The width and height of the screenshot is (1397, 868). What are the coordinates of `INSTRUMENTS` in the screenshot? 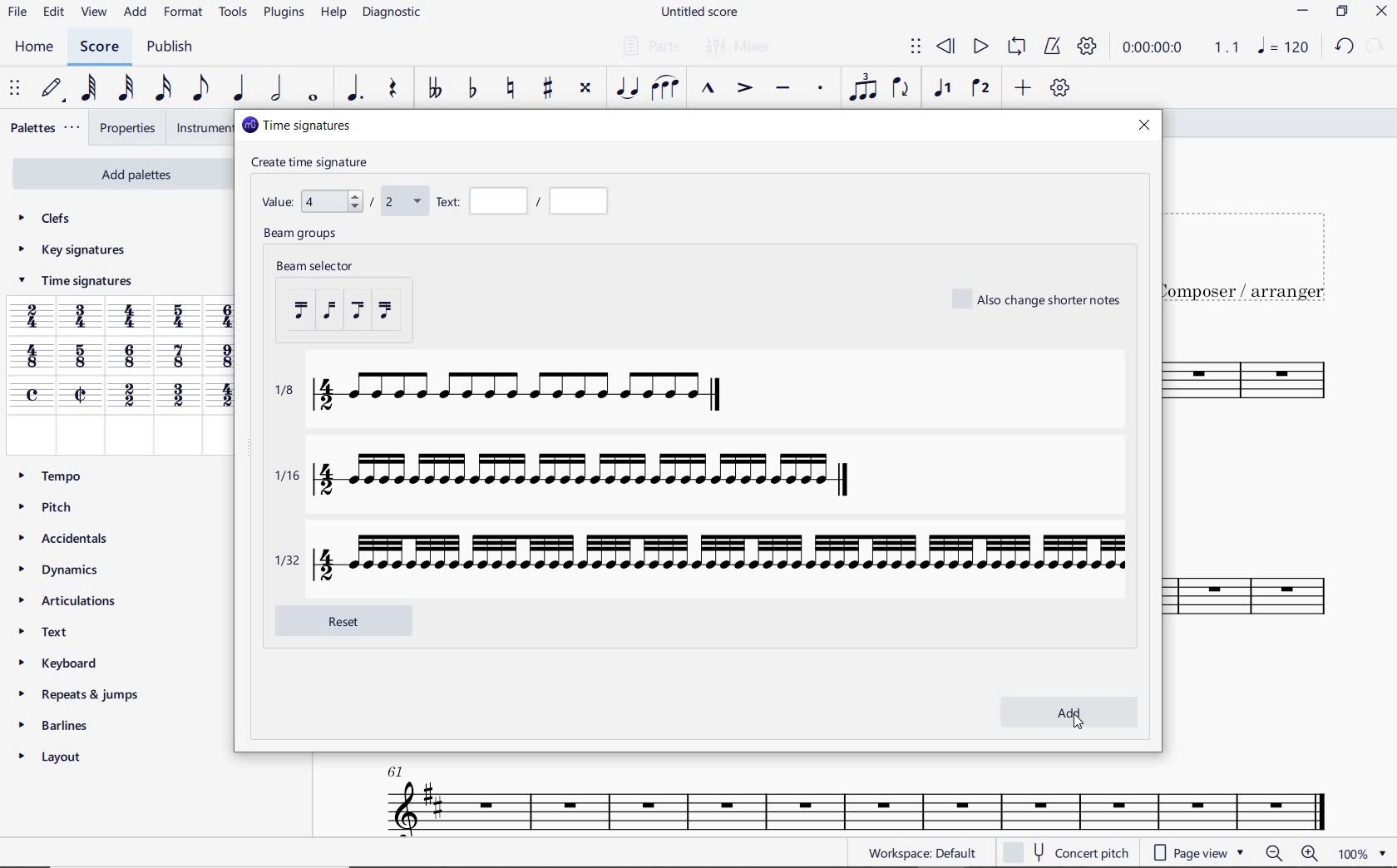 It's located at (201, 128).